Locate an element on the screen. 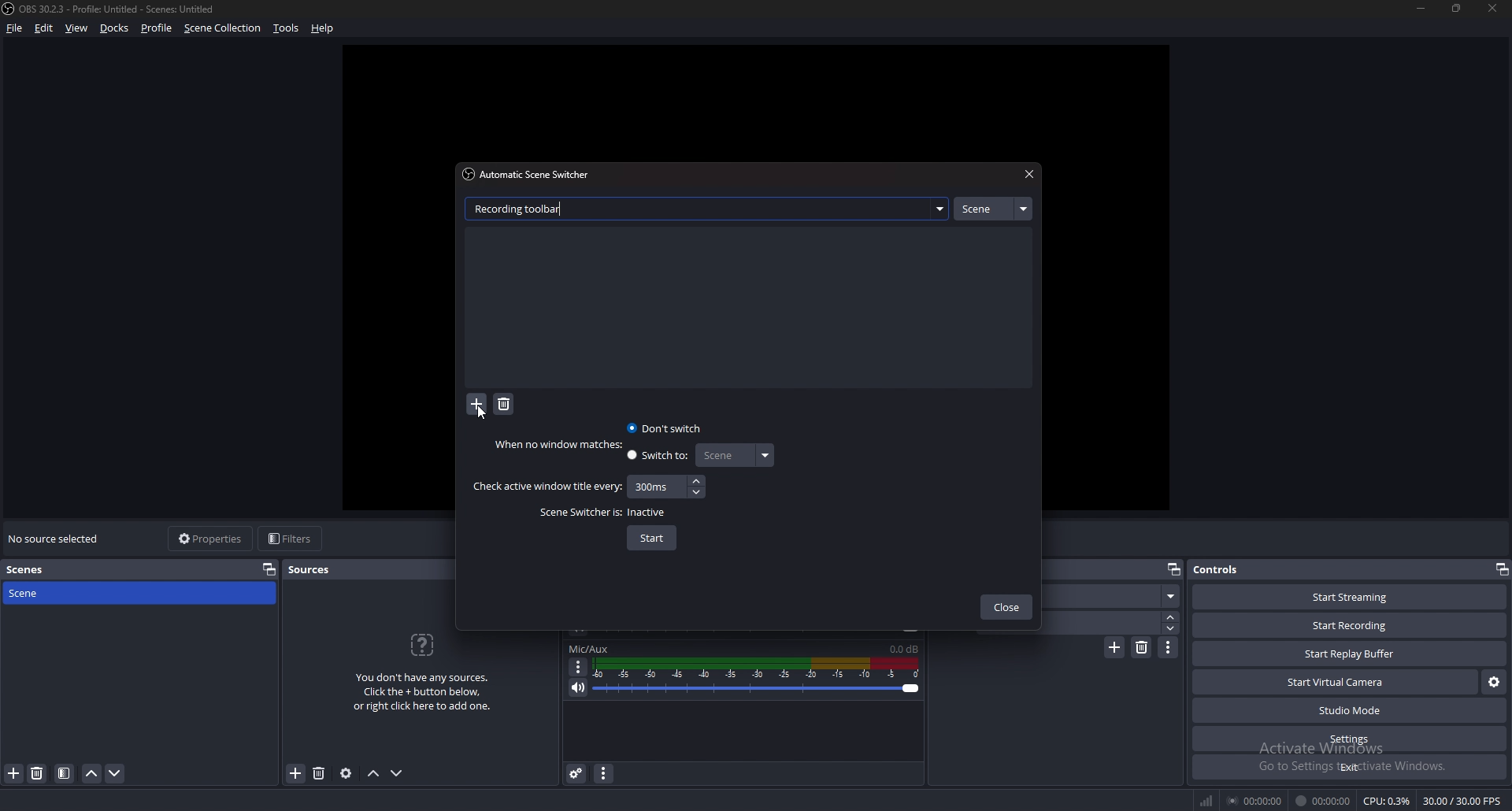 The image size is (1512, 811). recording duration is located at coordinates (1324, 801).